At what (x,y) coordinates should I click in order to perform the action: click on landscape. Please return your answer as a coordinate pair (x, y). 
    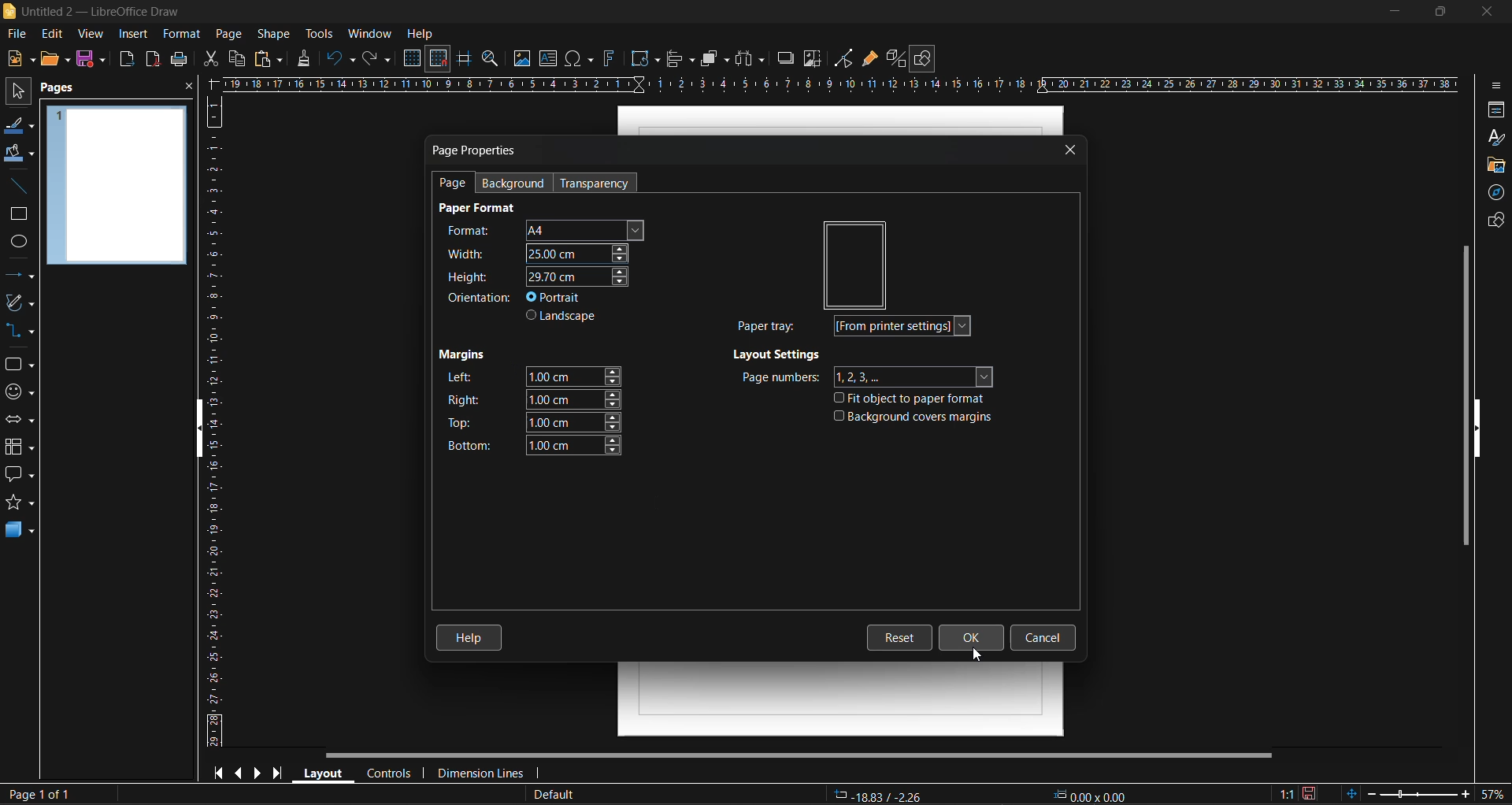
    Looking at the image, I should click on (565, 318).